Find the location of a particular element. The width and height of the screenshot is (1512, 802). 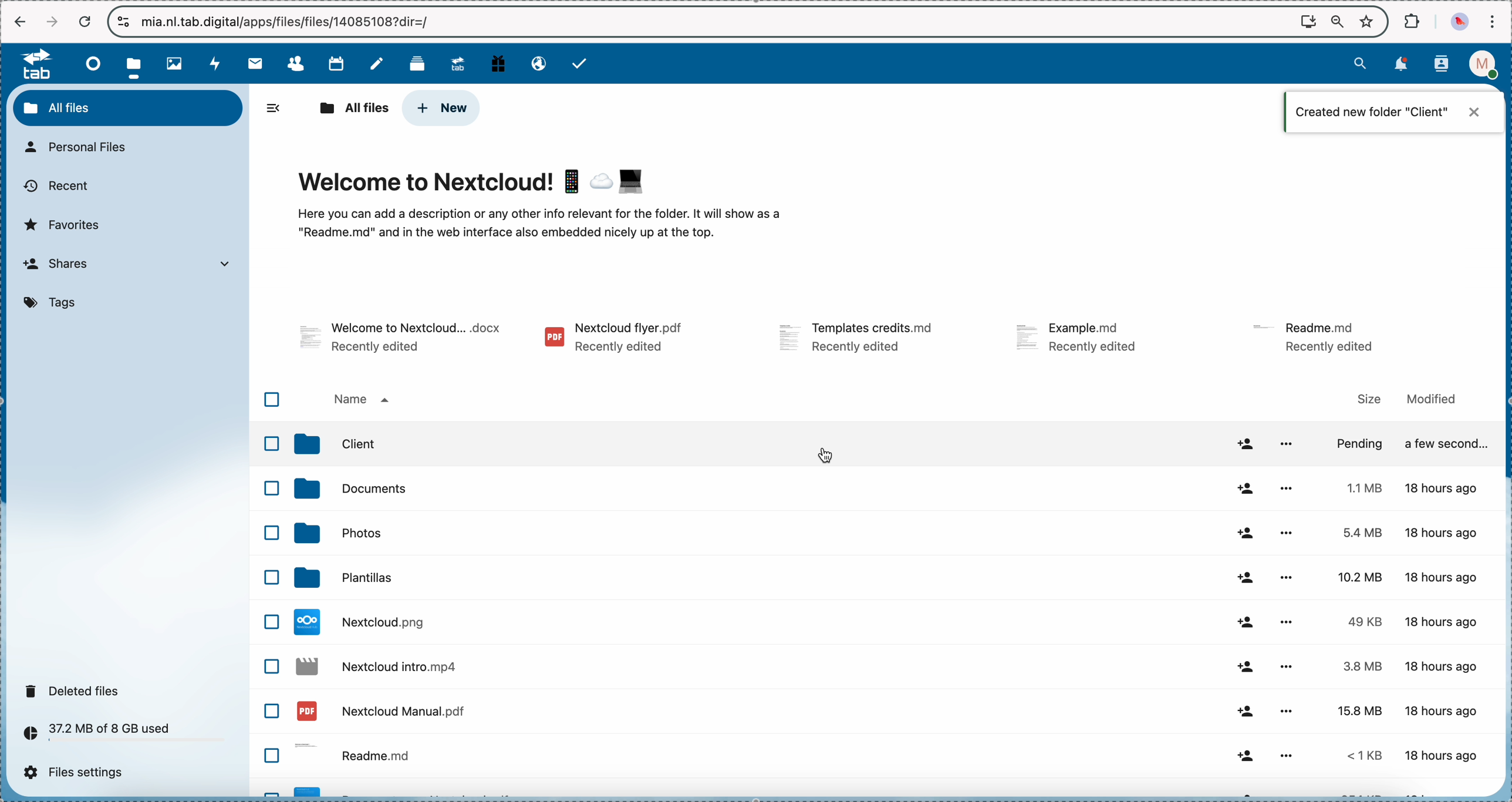

url is located at coordinates (246, 21).